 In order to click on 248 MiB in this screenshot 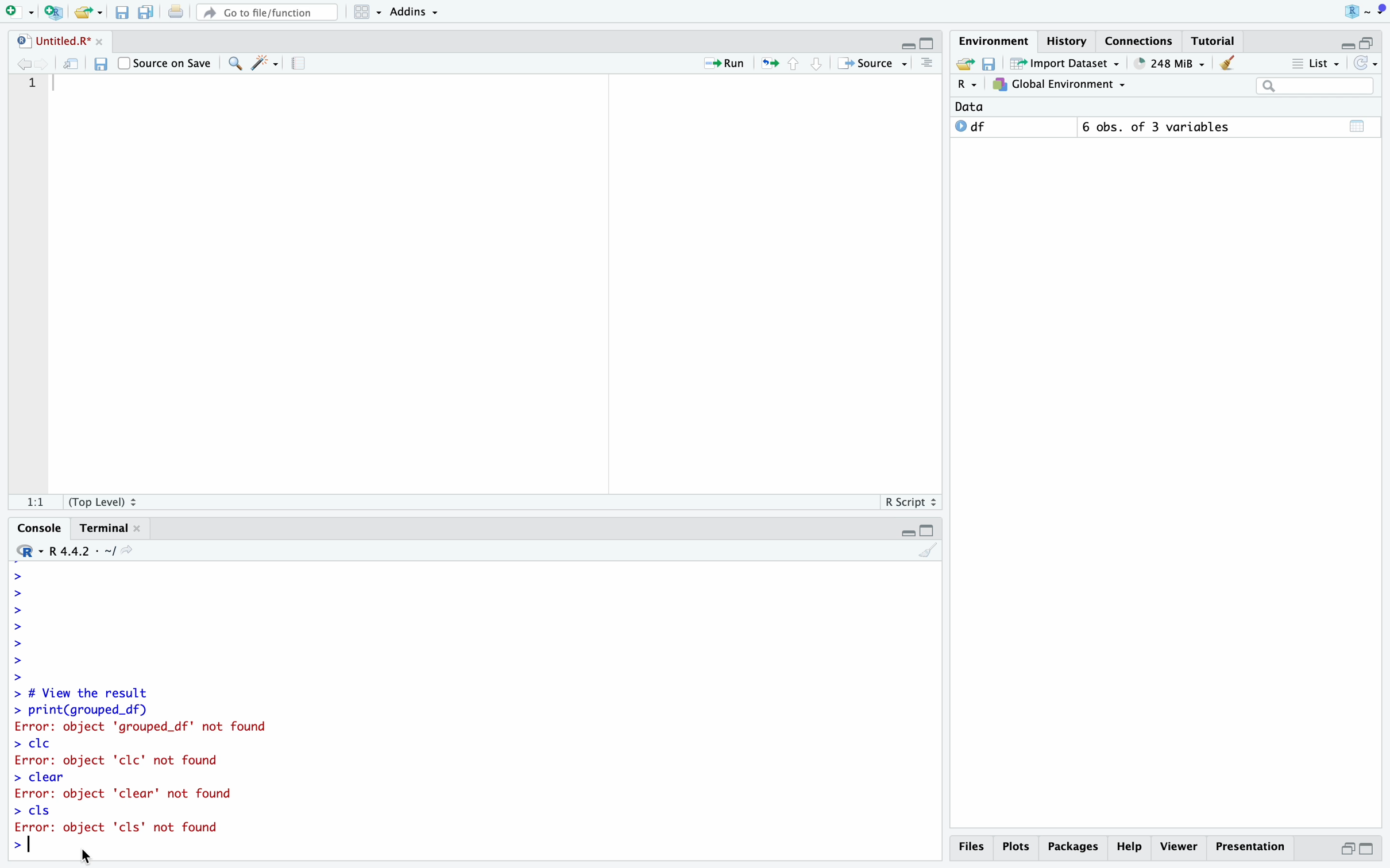, I will do `click(1169, 63)`.